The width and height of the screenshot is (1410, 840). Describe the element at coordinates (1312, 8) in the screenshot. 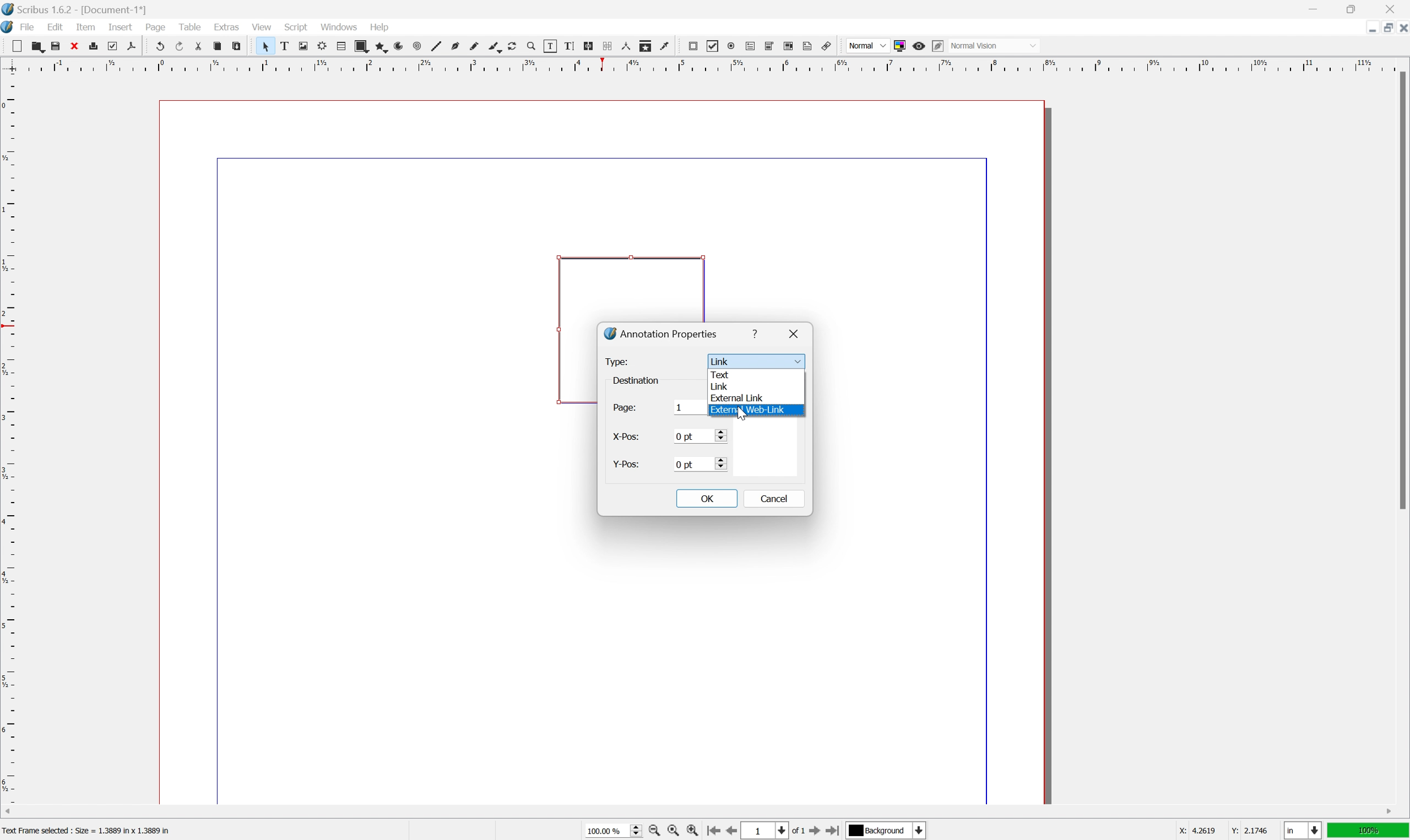

I see `minimize` at that location.